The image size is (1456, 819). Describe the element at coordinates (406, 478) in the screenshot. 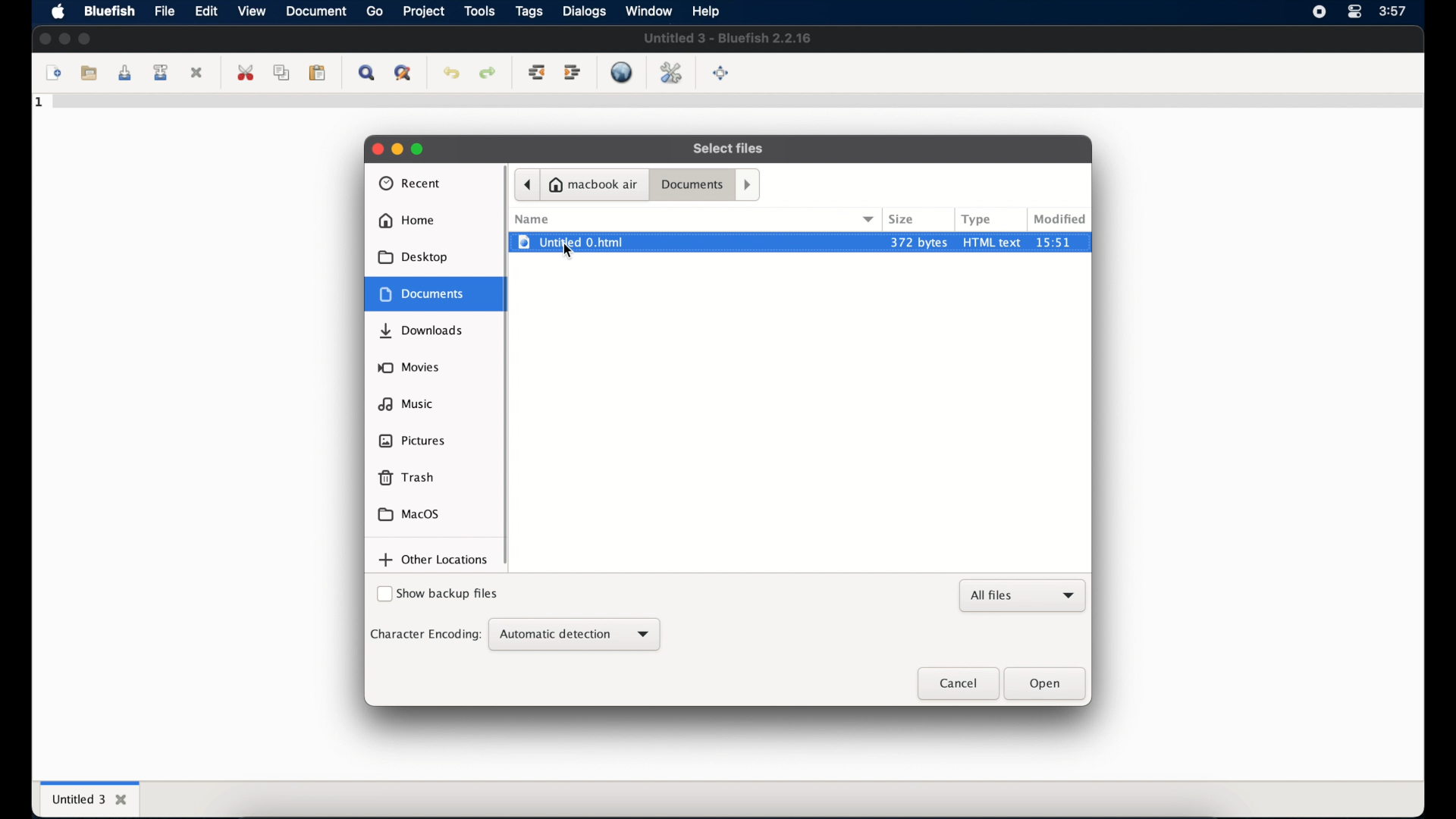

I see `trash` at that location.